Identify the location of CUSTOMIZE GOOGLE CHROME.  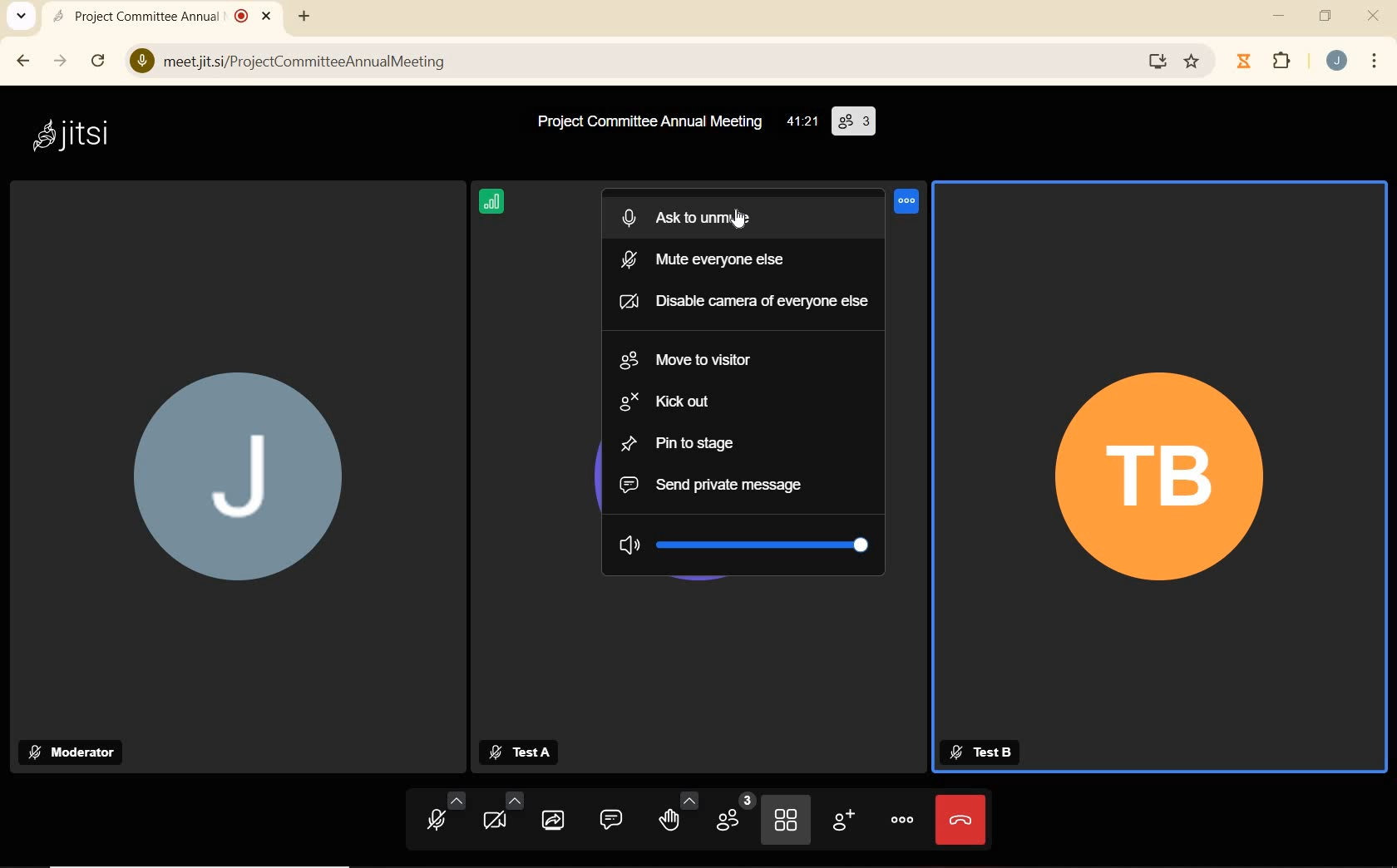
(1375, 62).